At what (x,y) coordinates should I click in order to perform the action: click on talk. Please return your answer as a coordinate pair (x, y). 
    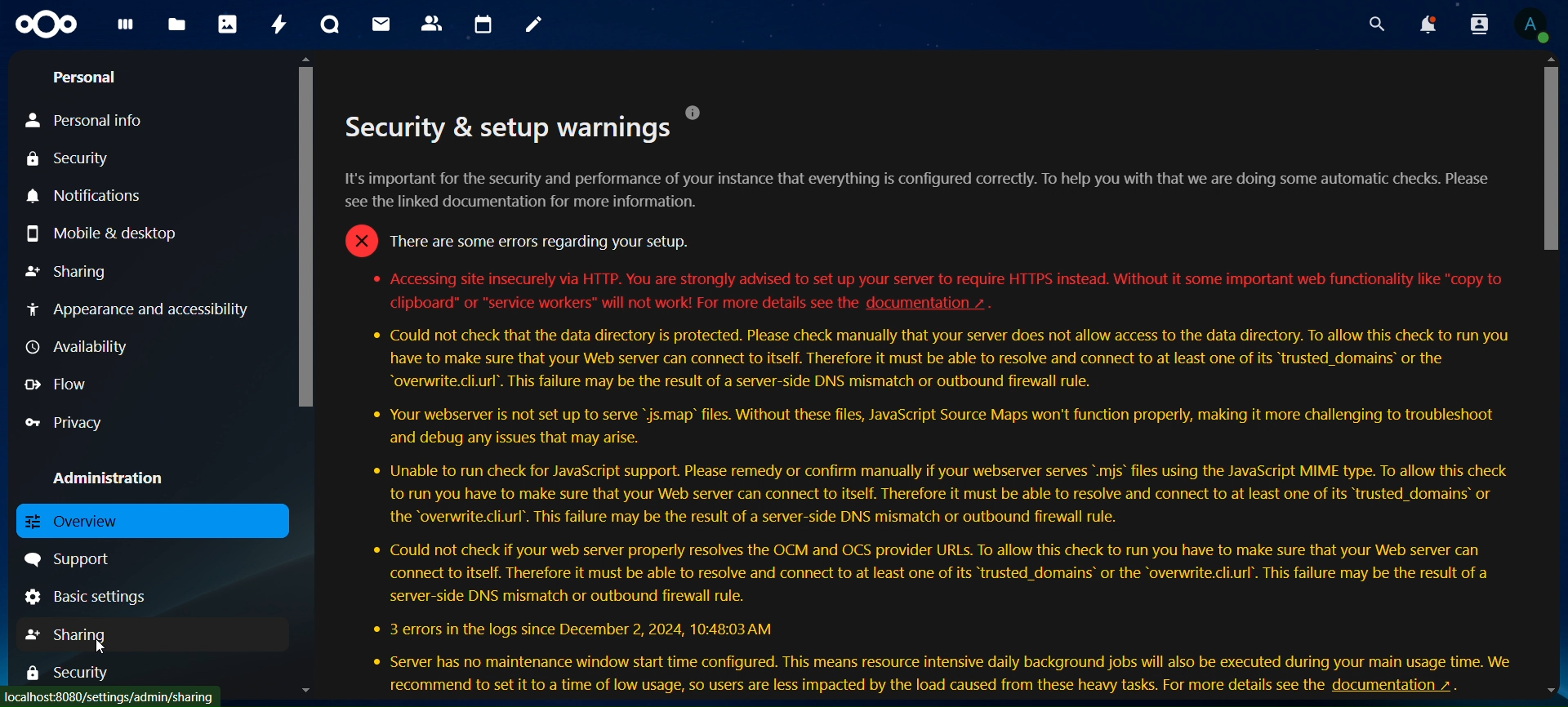
    Looking at the image, I should click on (330, 23).